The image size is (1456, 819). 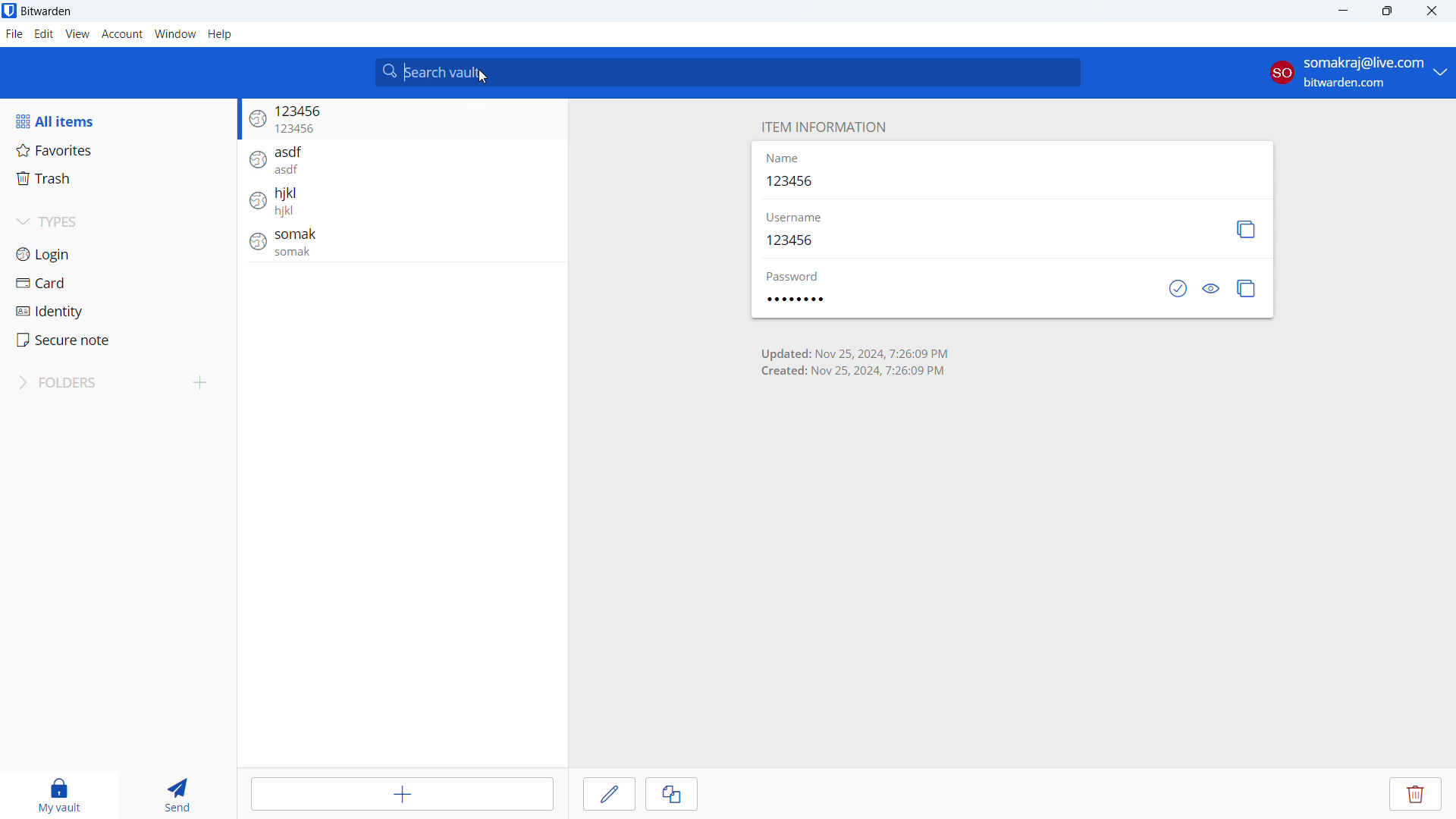 I want to click on username, so click(x=795, y=218).